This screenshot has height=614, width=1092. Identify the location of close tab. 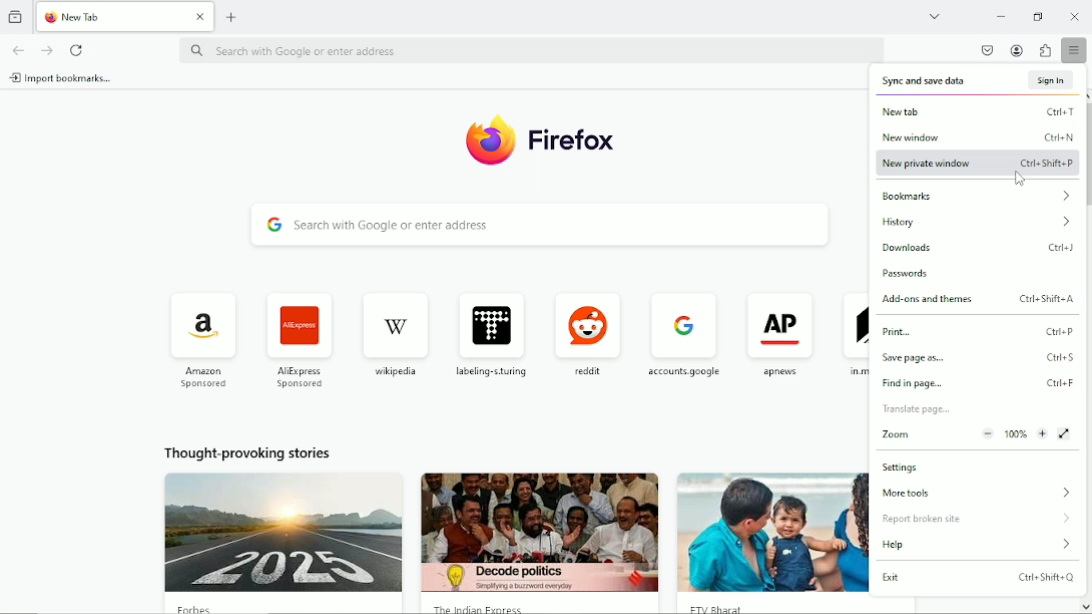
(200, 17).